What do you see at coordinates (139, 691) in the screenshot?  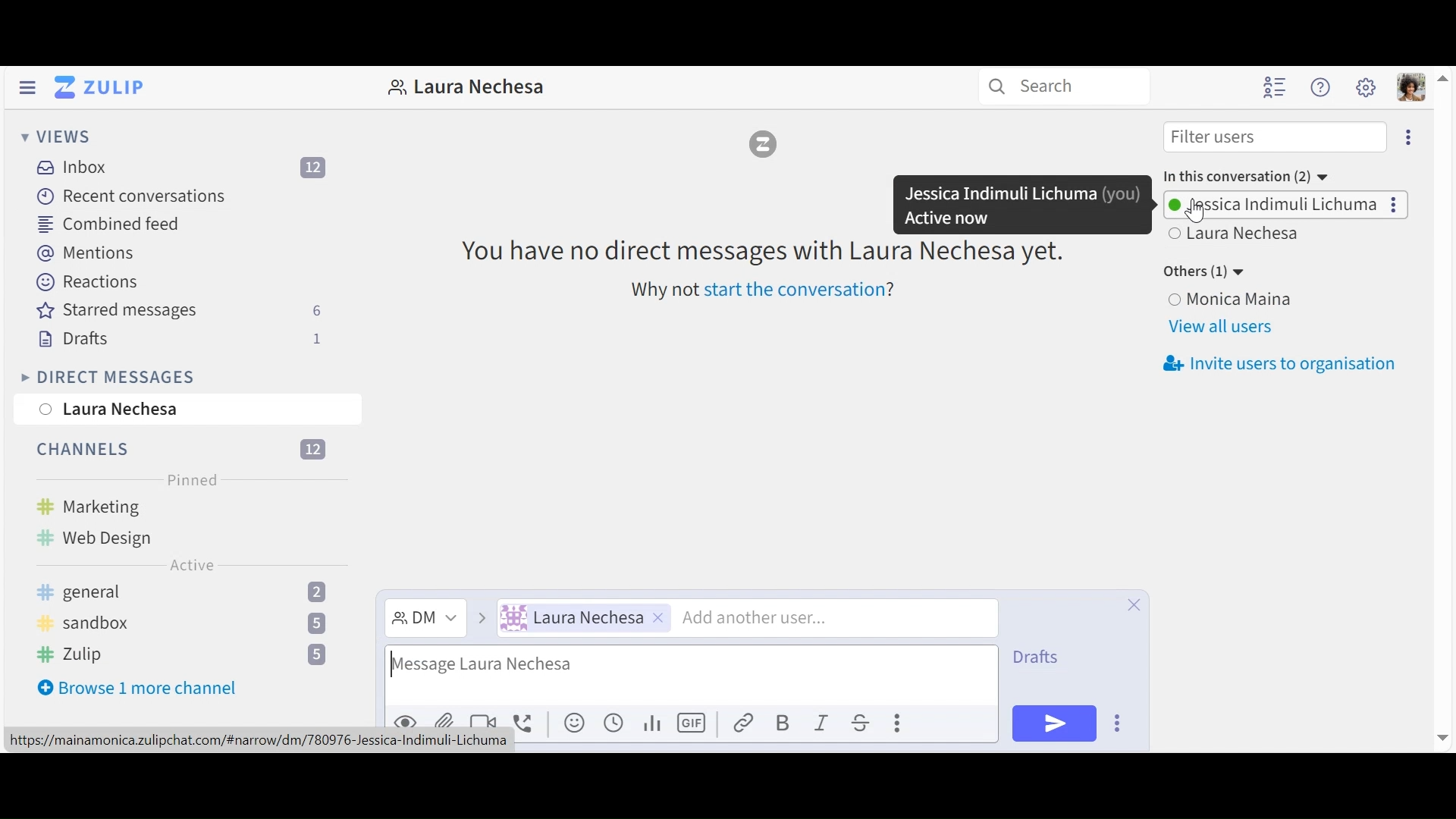 I see `Browse more channel` at bounding box center [139, 691].